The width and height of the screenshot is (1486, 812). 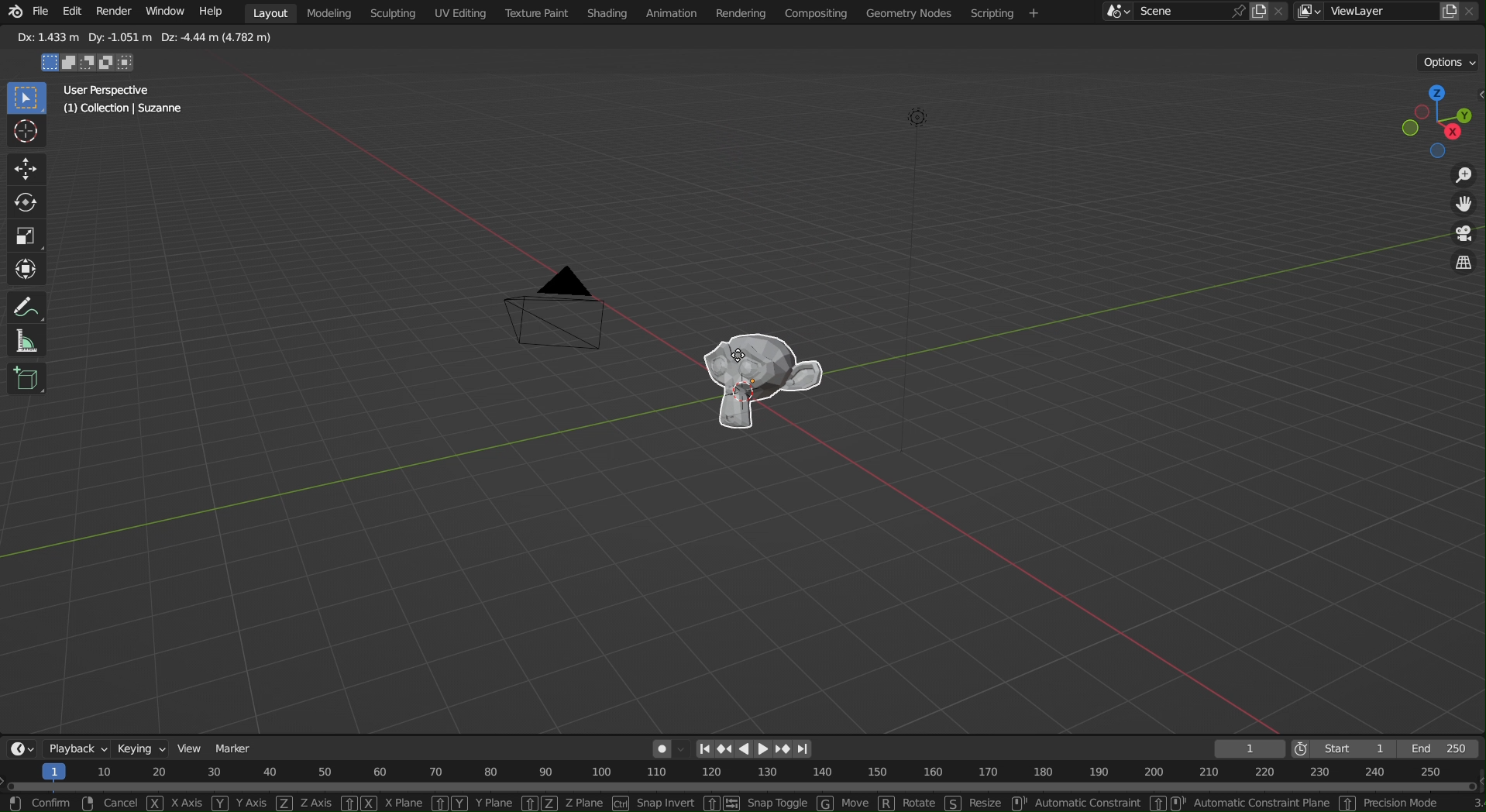 What do you see at coordinates (123, 109) in the screenshot?
I see `(1) Collection | Suzanne` at bounding box center [123, 109].